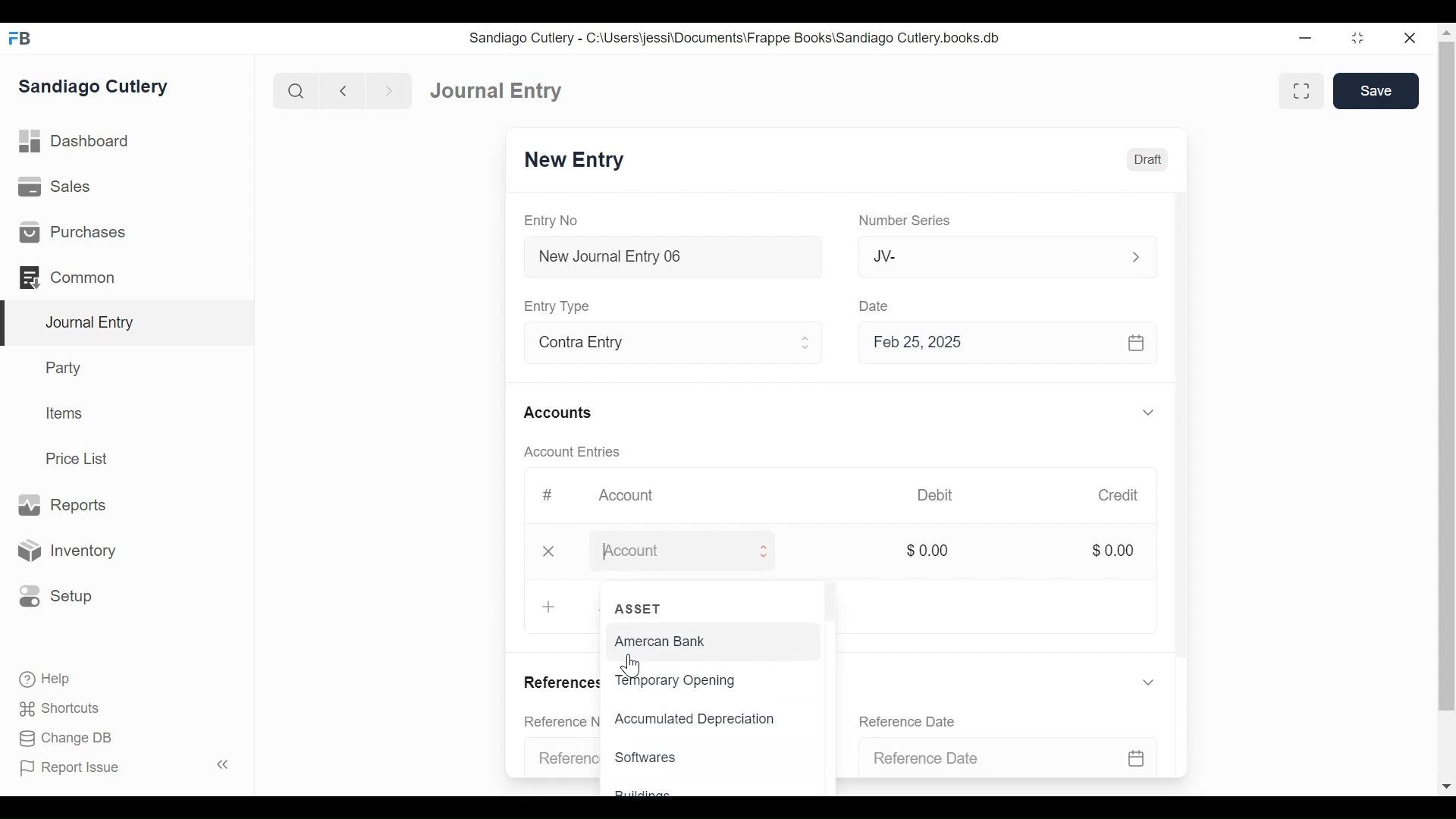  I want to click on Vertical Scroll bar, so click(1447, 375).